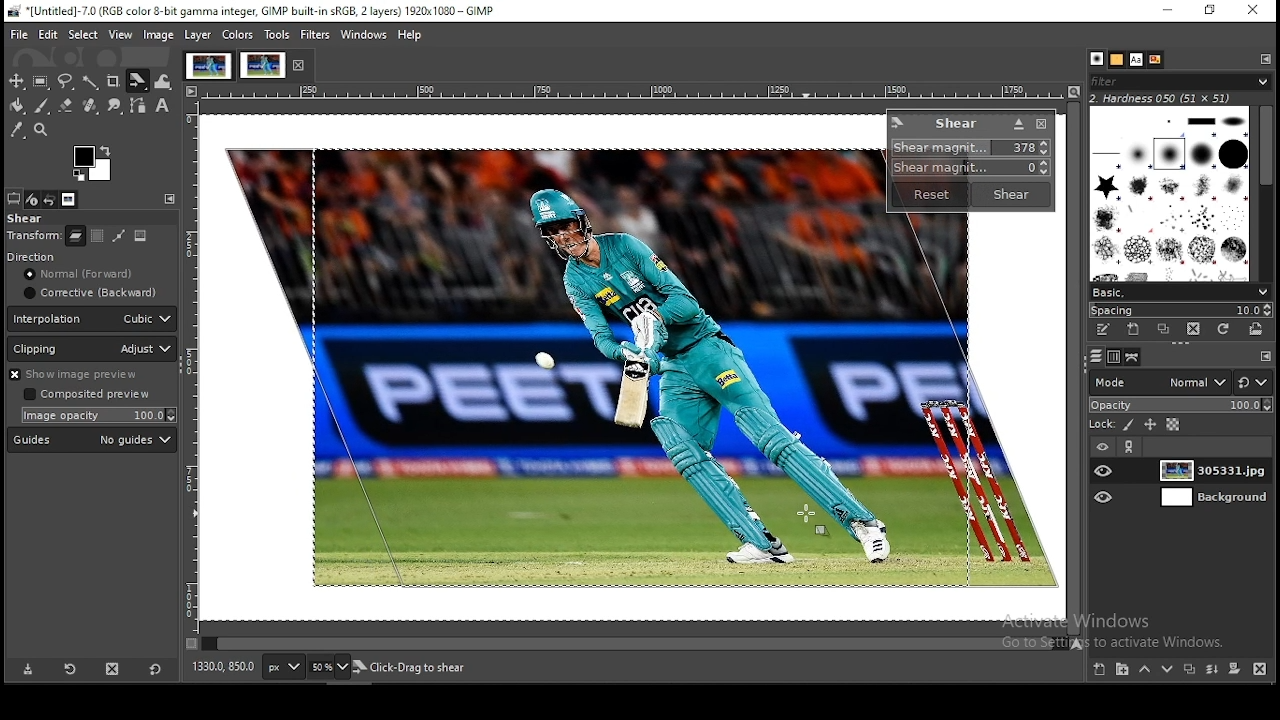  What do you see at coordinates (1008, 194) in the screenshot?
I see `shear` at bounding box center [1008, 194].